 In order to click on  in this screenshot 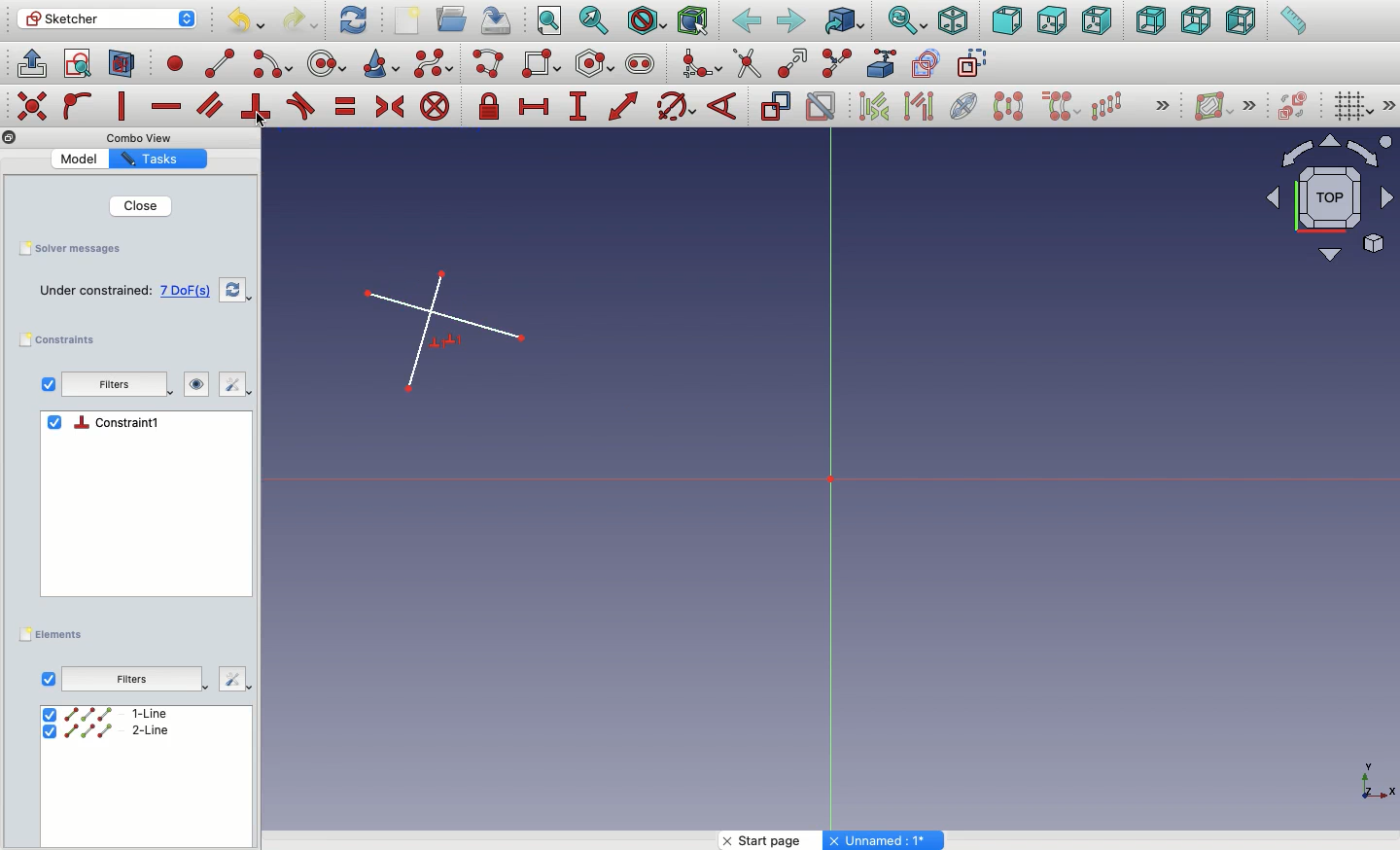, I will do `click(1370, 780)`.